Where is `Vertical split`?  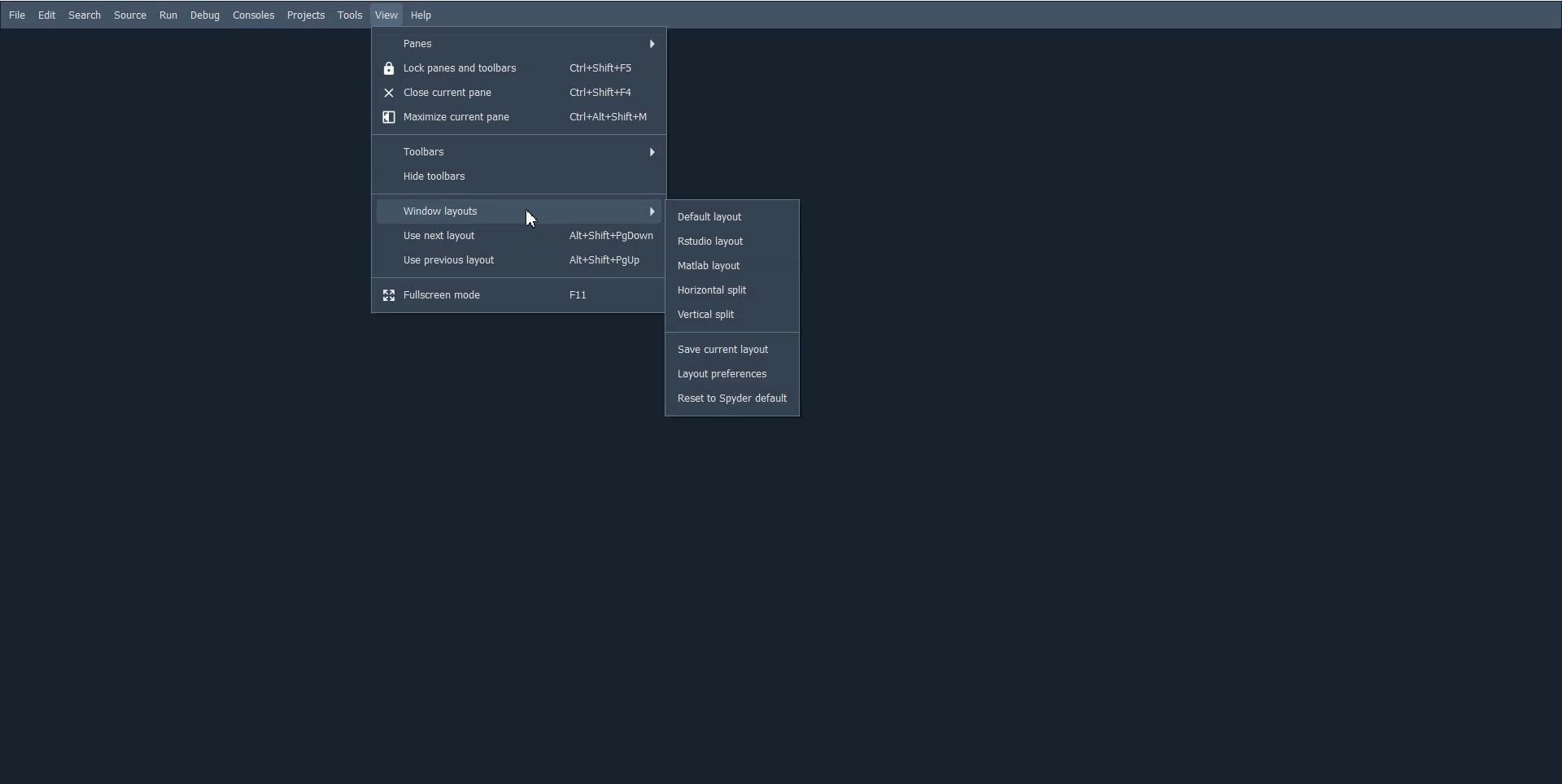 Vertical split is located at coordinates (734, 316).